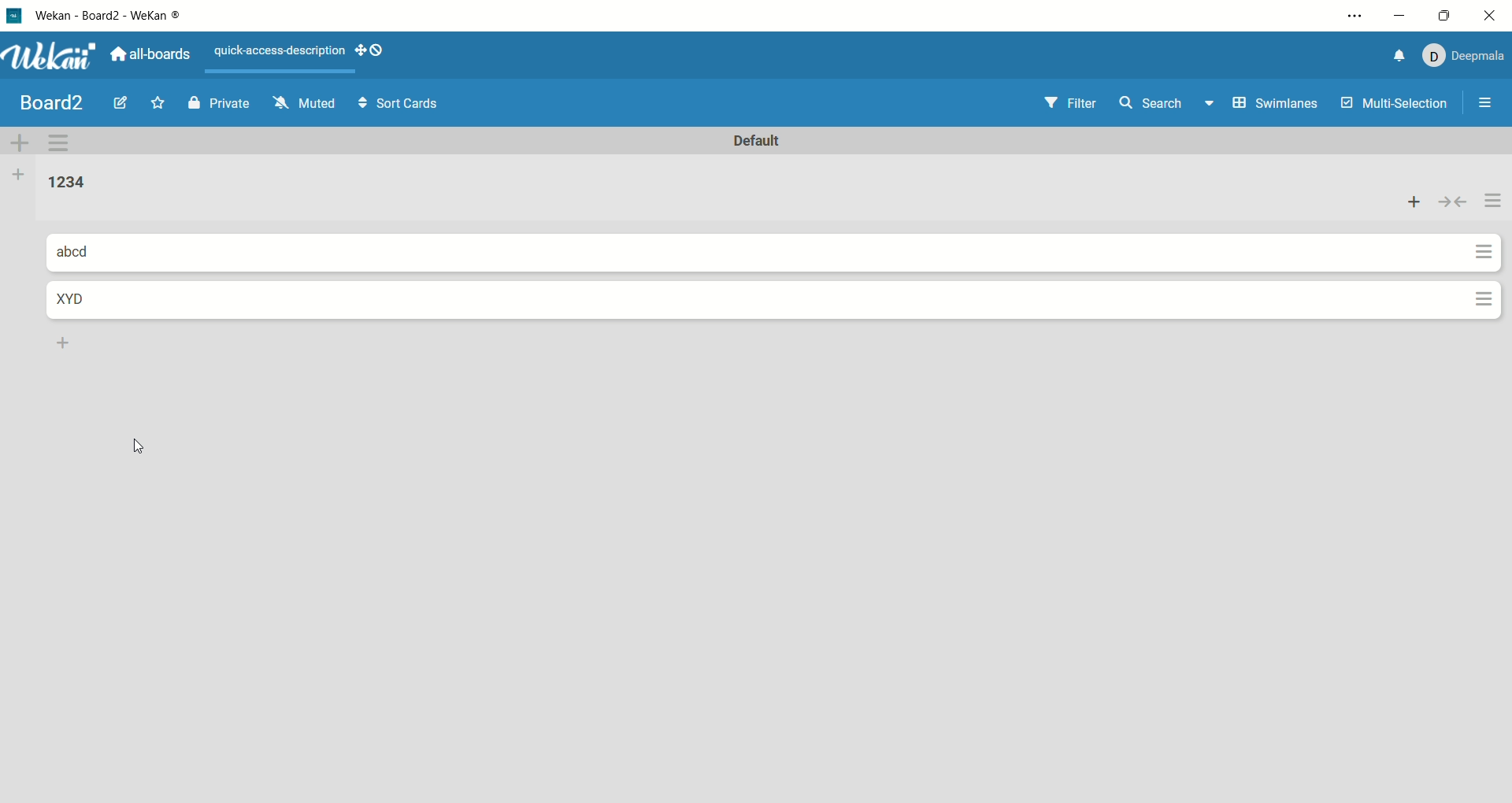 The width and height of the screenshot is (1512, 803). What do you see at coordinates (1397, 18) in the screenshot?
I see `minimize` at bounding box center [1397, 18].